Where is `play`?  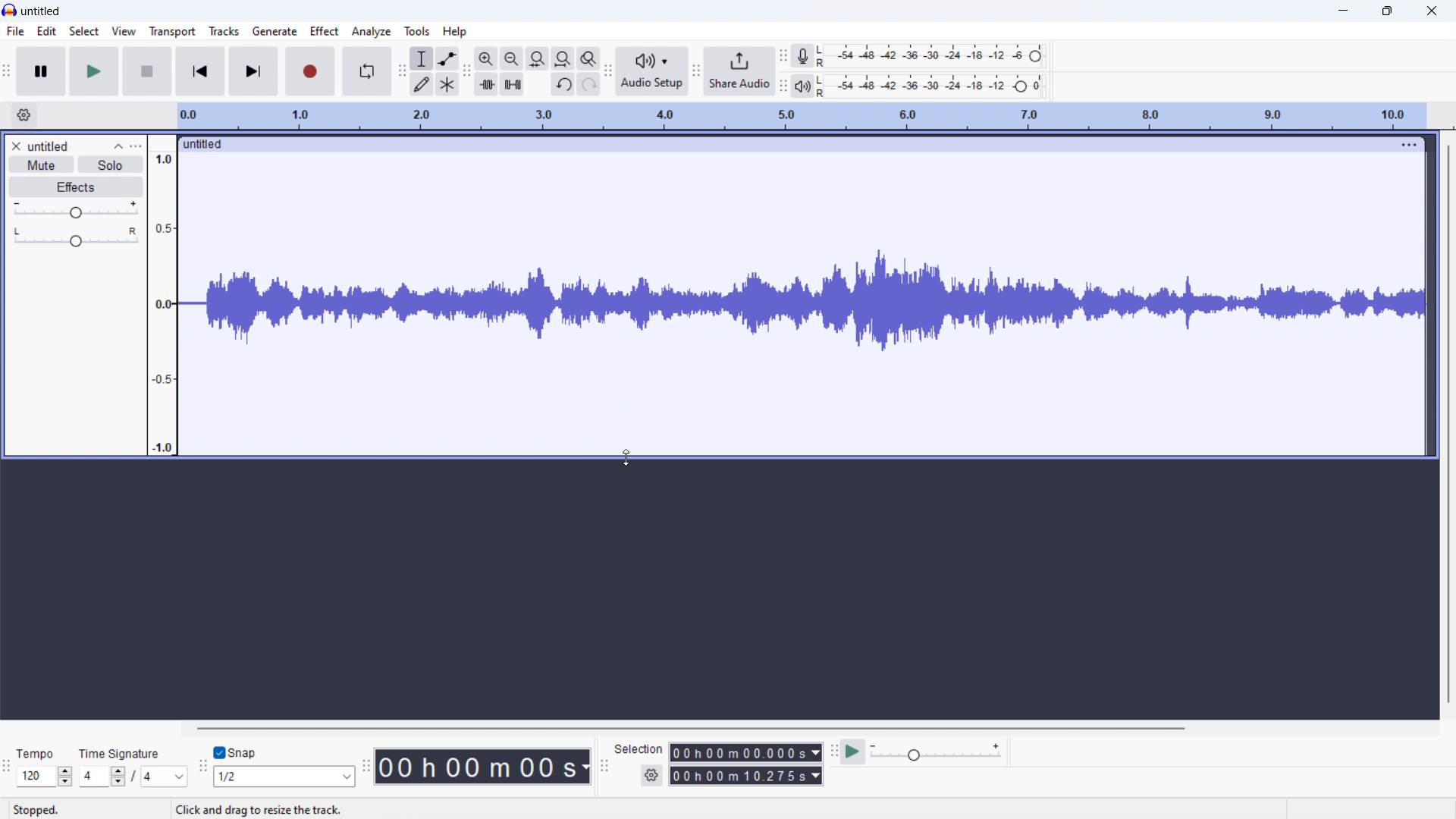 play is located at coordinates (94, 71).